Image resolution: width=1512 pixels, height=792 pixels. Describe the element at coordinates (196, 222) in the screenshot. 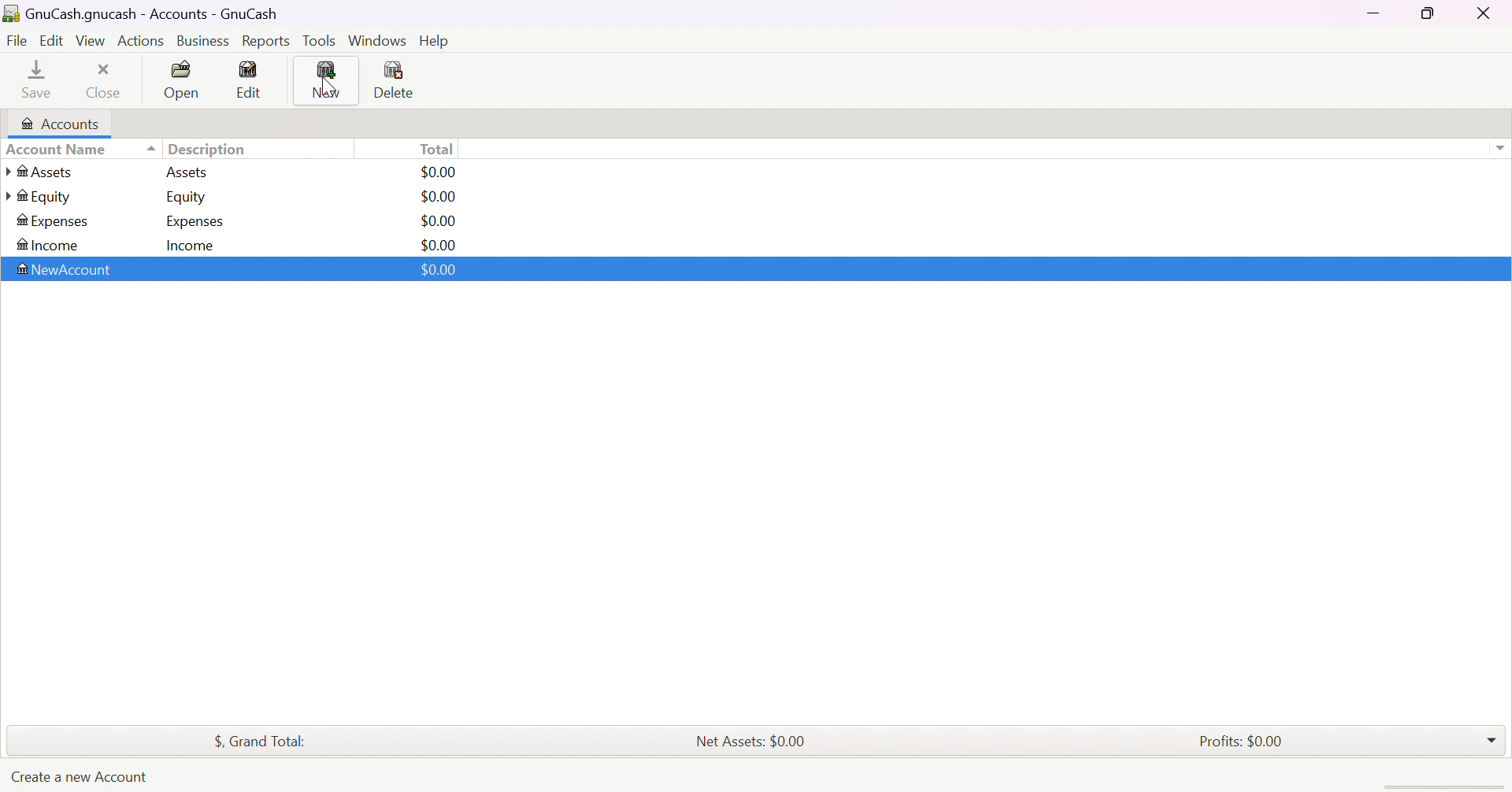

I see `Expenses` at that location.